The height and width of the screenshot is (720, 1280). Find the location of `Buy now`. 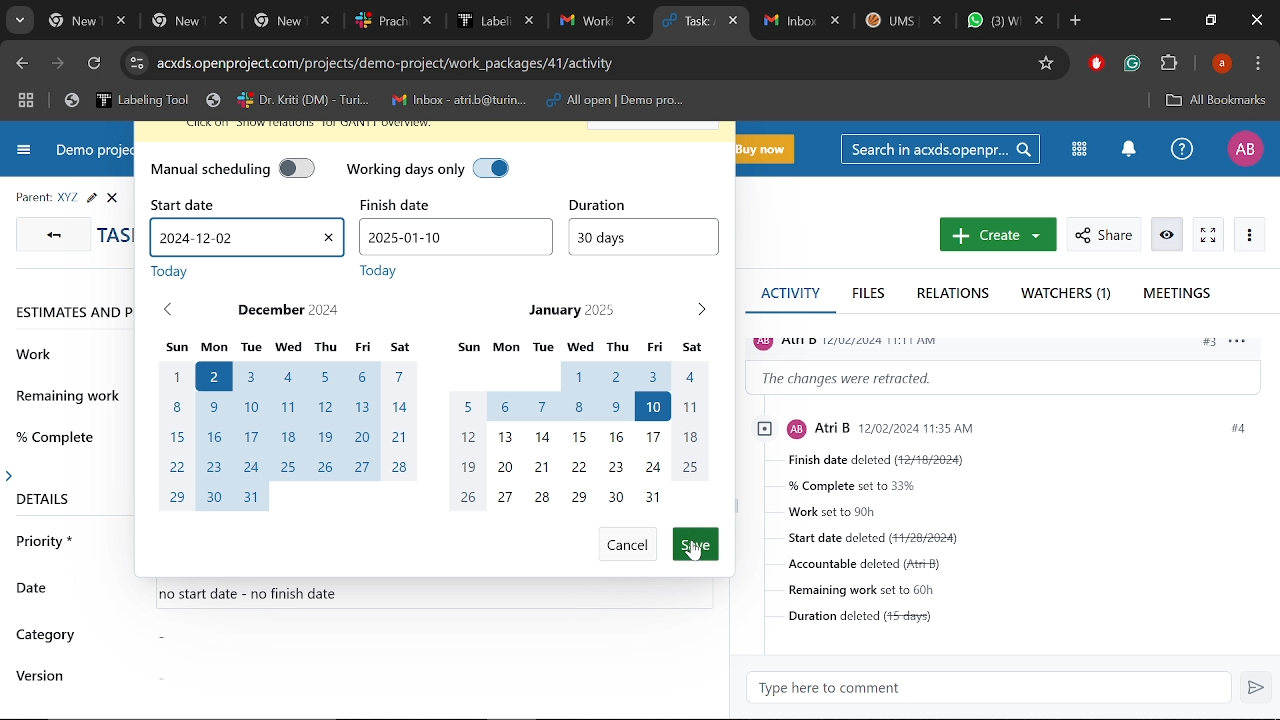

Buy now is located at coordinates (772, 150).